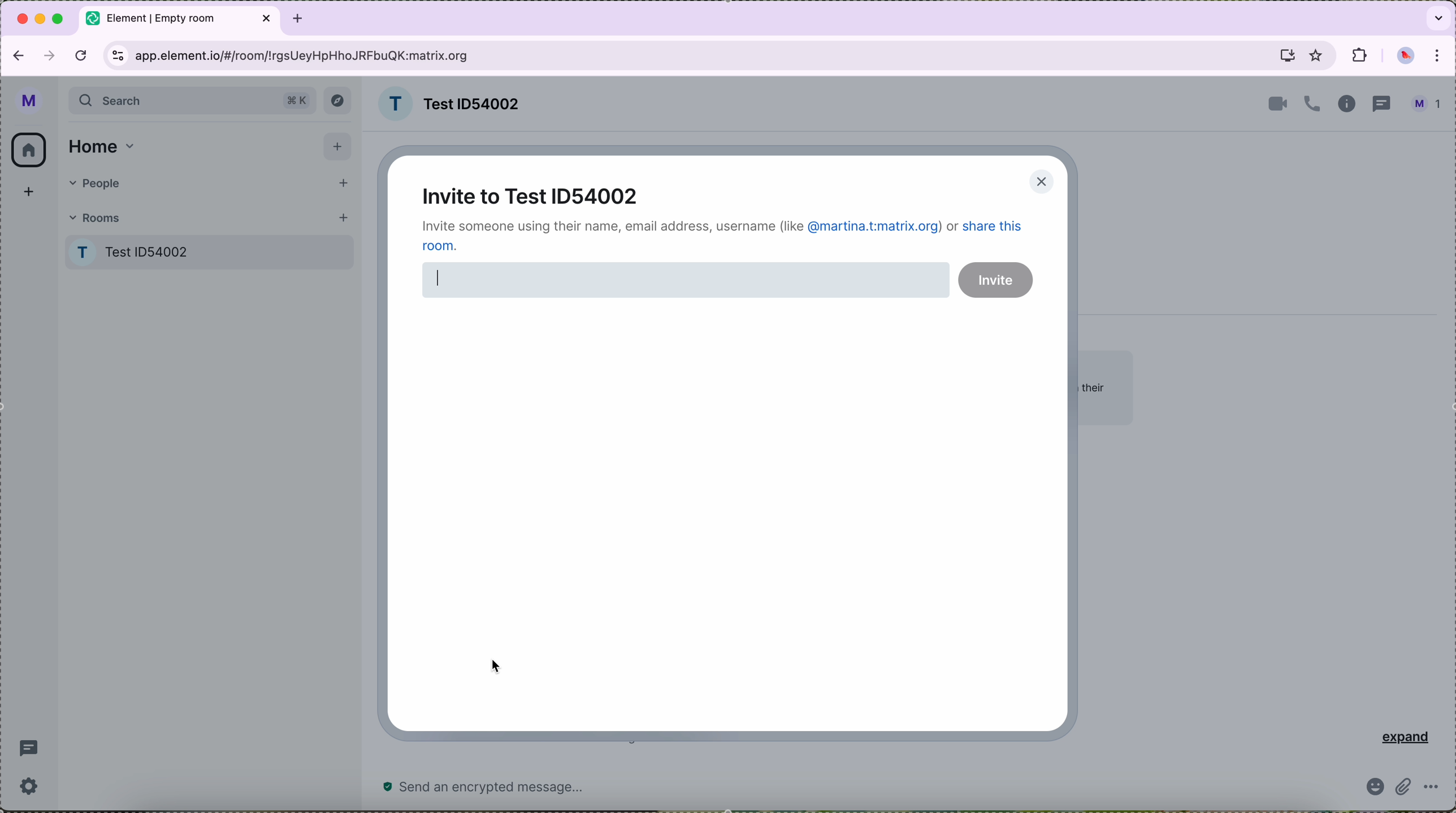 This screenshot has width=1456, height=813. What do you see at coordinates (447, 103) in the screenshot?
I see `room name` at bounding box center [447, 103].